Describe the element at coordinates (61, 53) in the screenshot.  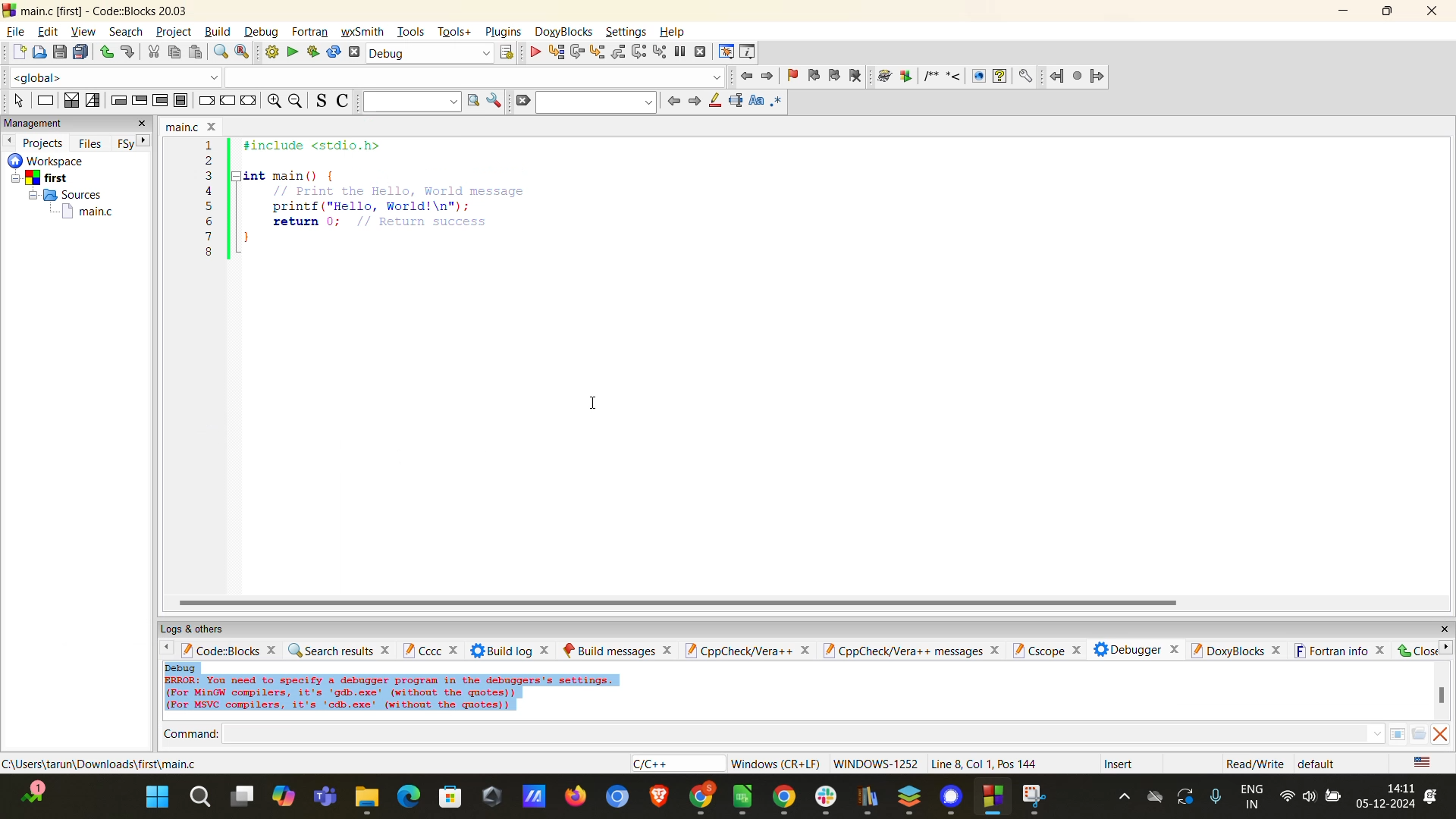
I see `save` at that location.